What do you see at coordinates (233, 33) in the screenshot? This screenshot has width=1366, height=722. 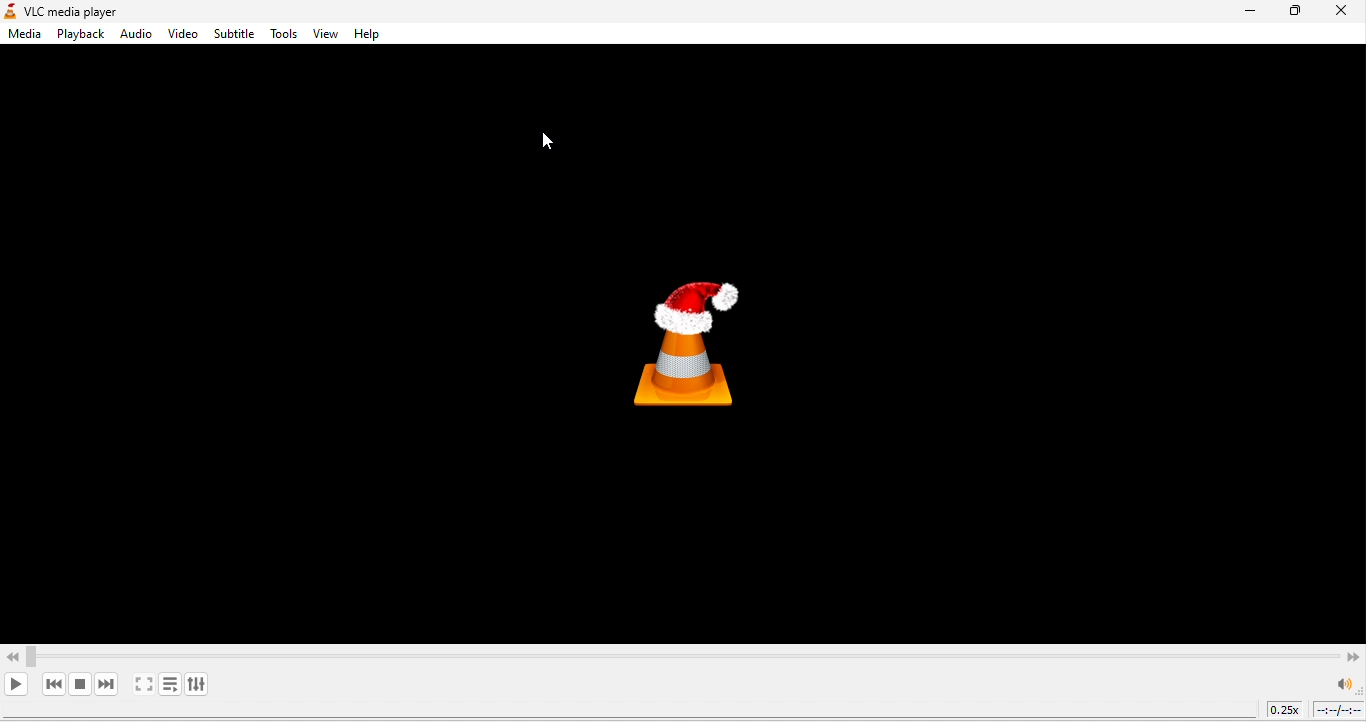 I see `subtitle` at bounding box center [233, 33].